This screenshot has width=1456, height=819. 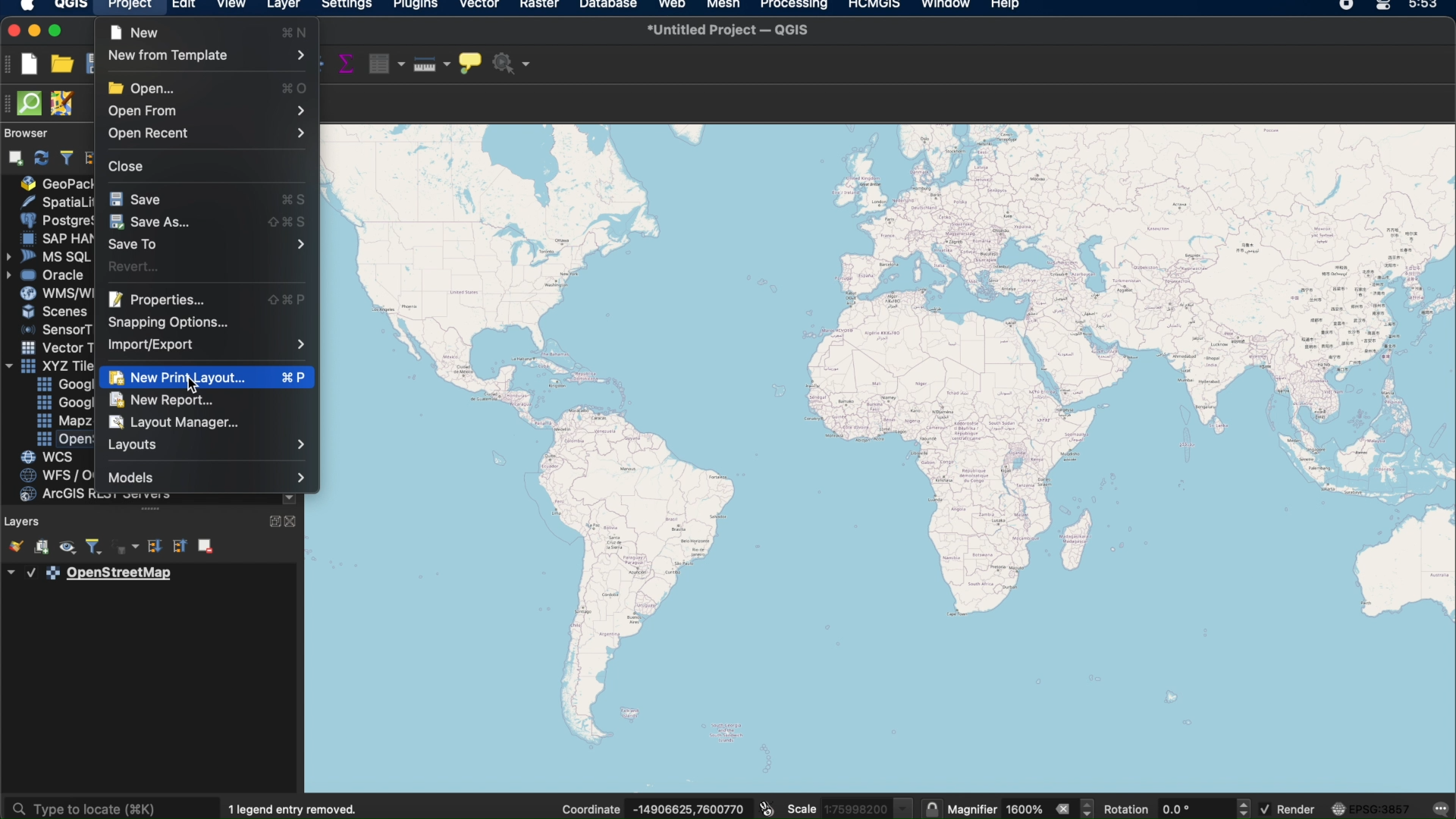 What do you see at coordinates (135, 165) in the screenshot?
I see `Close` at bounding box center [135, 165].